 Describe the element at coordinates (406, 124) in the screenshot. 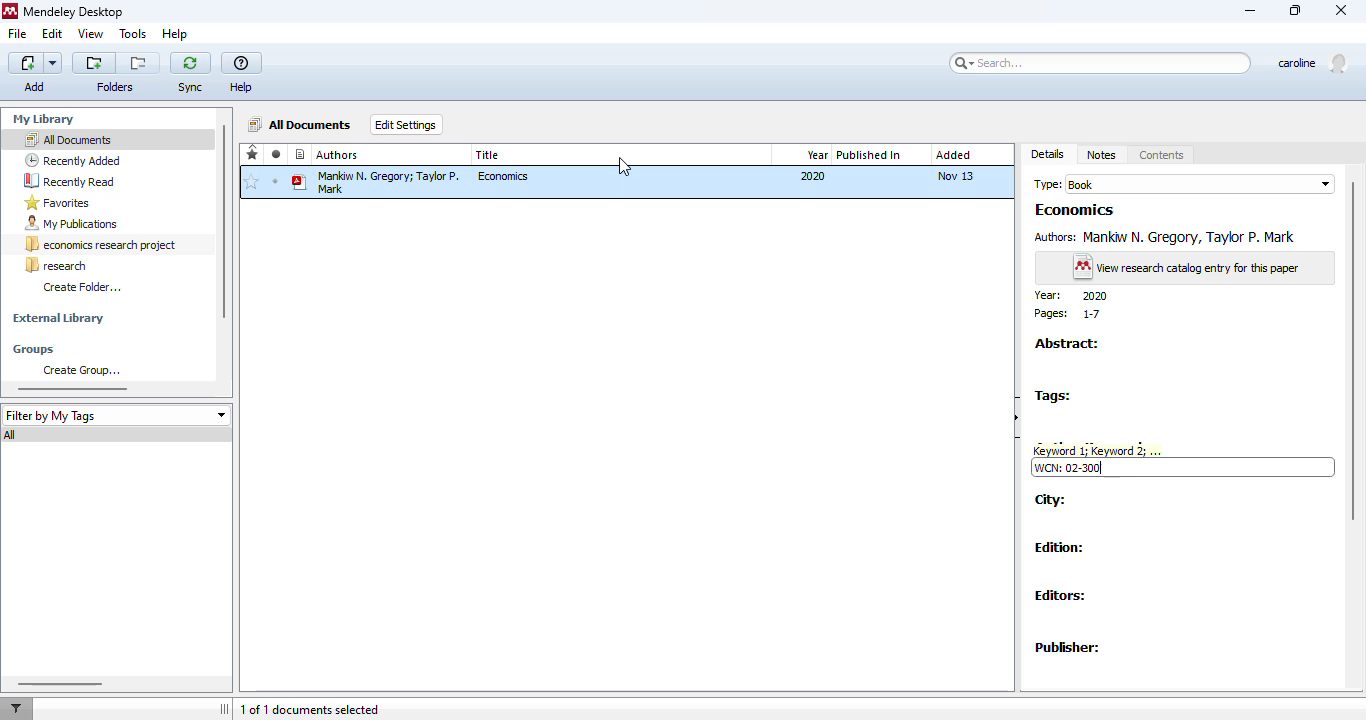

I see `edit settings` at that location.